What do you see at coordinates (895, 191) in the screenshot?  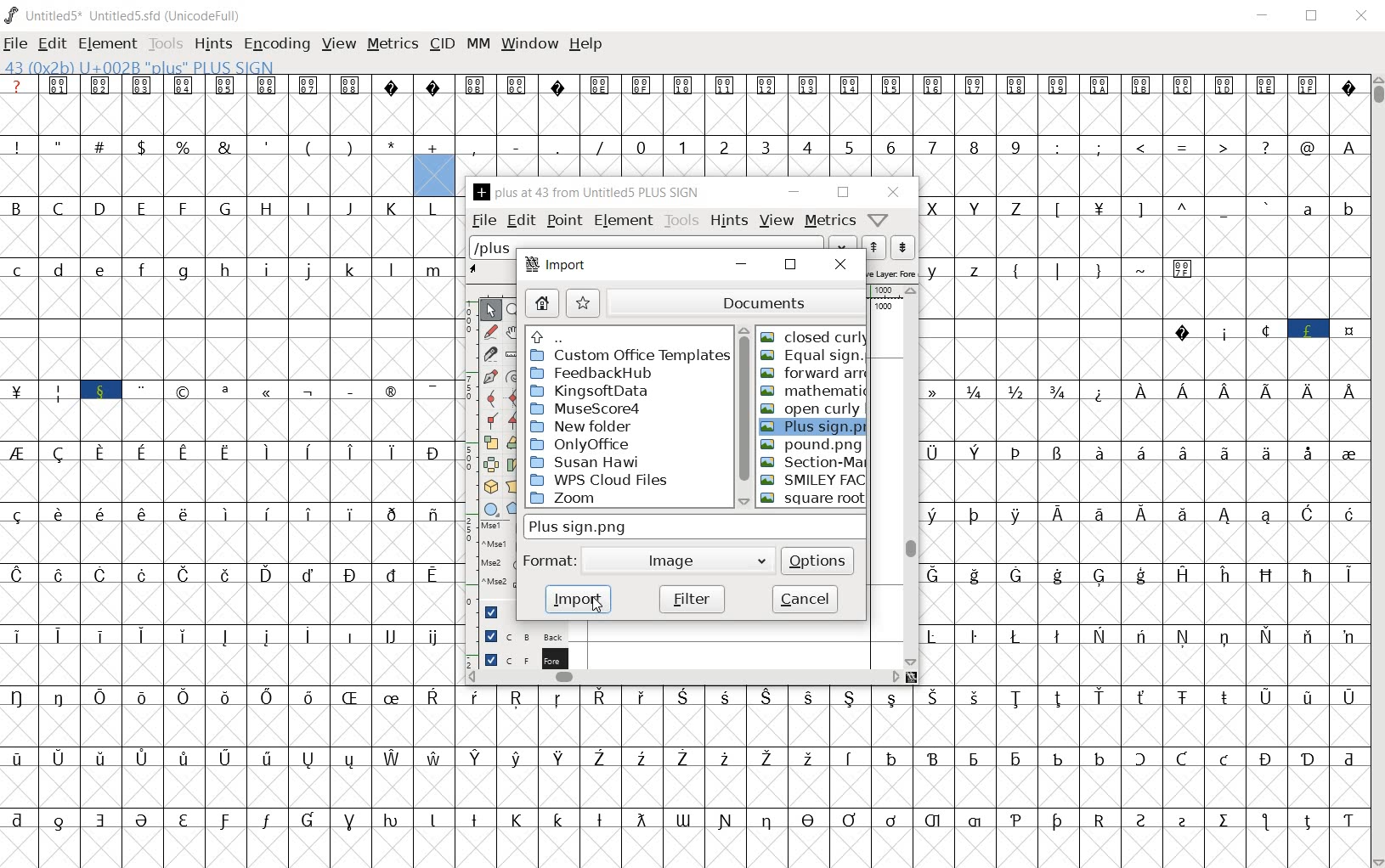 I see `close` at bounding box center [895, 191].